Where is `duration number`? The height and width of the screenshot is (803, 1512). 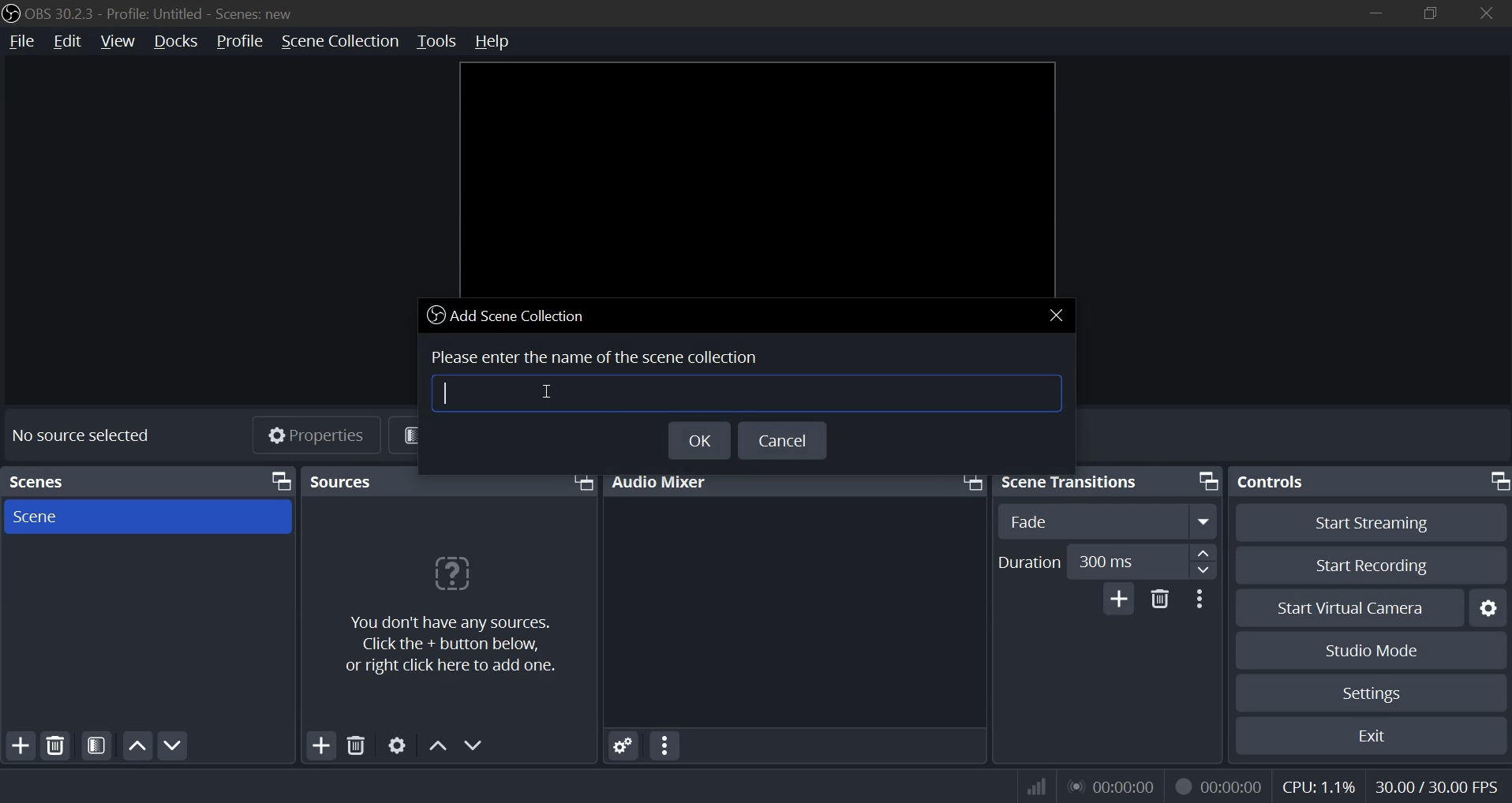 duration number is located at coordinates (1107, 560).